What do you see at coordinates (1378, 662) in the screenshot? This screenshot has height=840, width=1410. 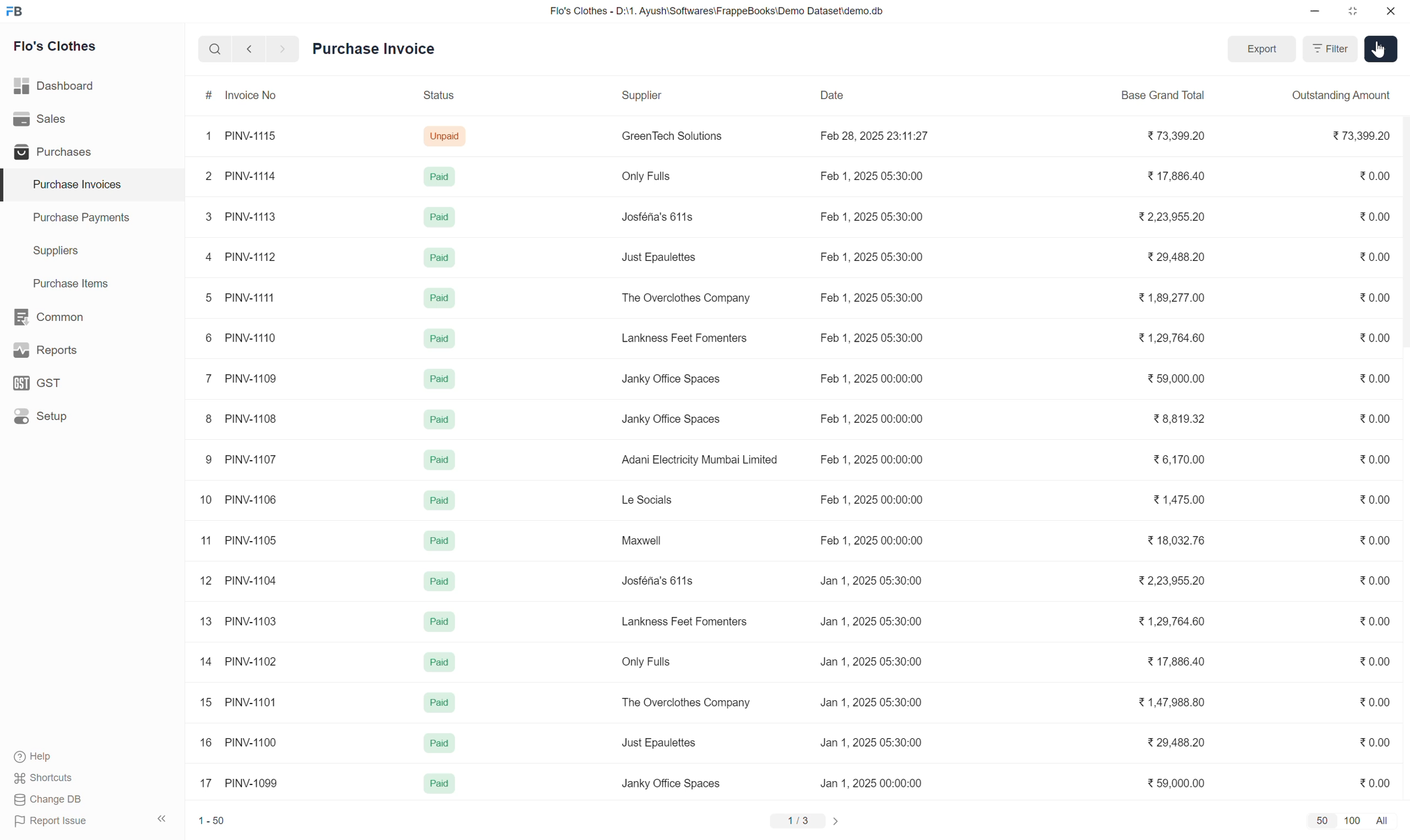 I see `0.00` at bounding box center [1378, 662].